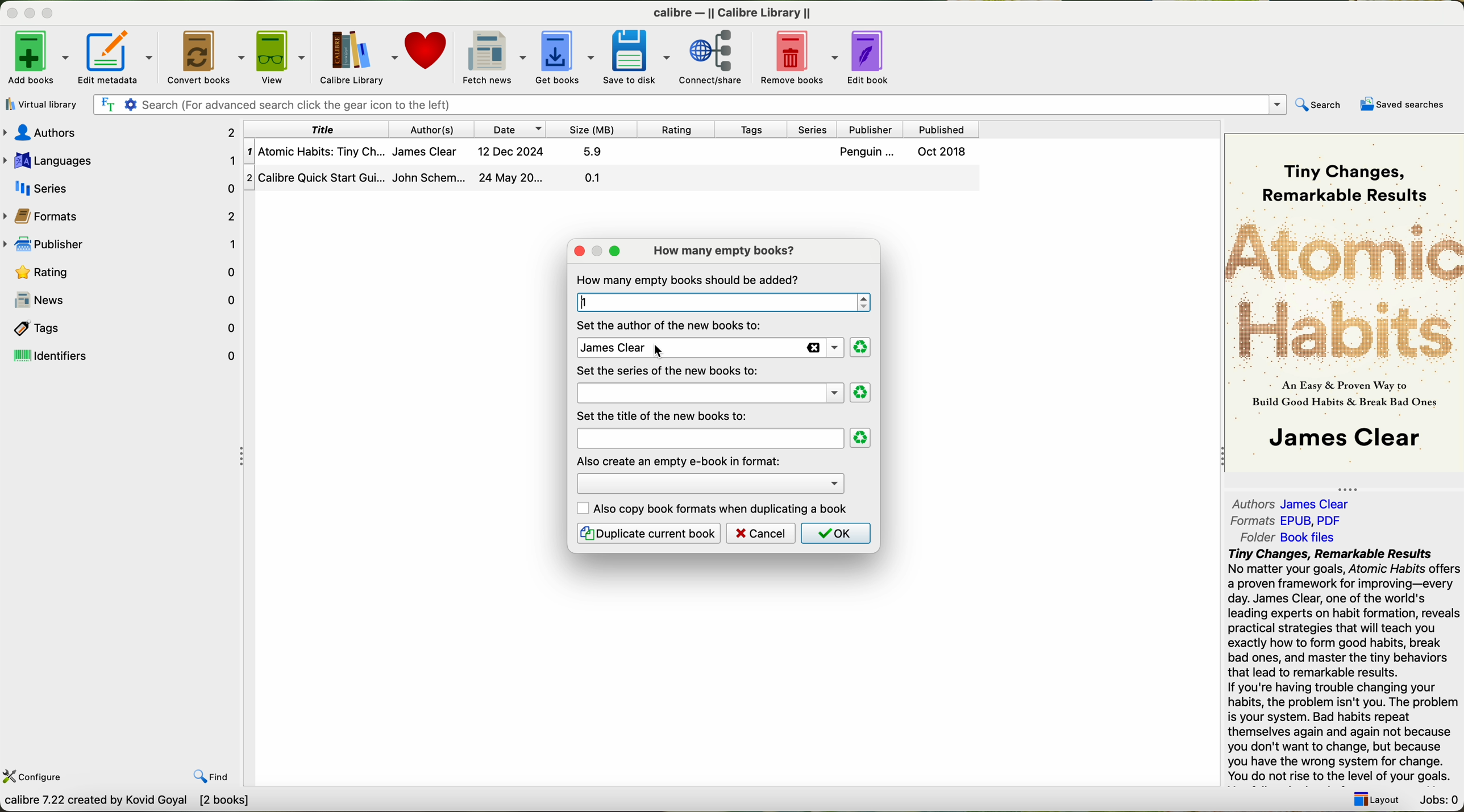 The width and height of the screenshot is (1464, 812). What do you see at coordinates (672, 324) in the screenshot?
I see `set the author of the new books to` at bounding box center [672, 324].